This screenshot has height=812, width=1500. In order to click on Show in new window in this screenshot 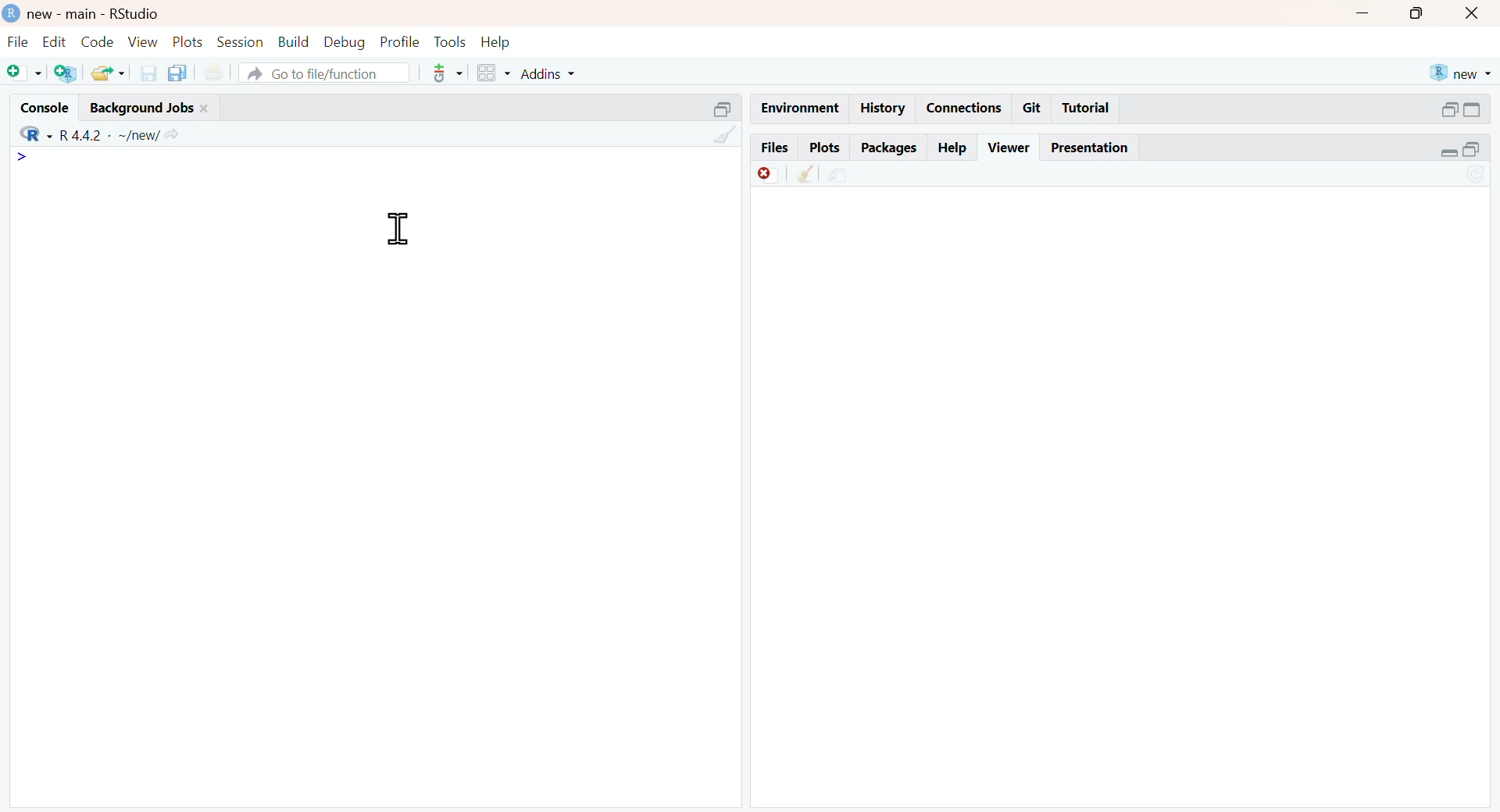, I will do `click(837, 173)`.